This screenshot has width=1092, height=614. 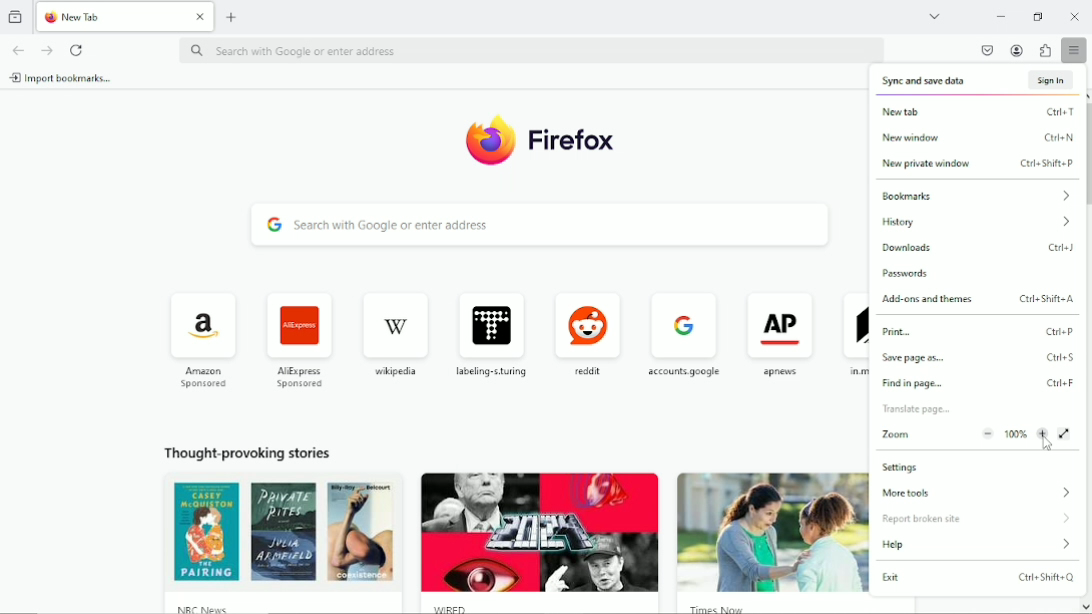 I want to click on Reload current page, so click(x=78, y=49).